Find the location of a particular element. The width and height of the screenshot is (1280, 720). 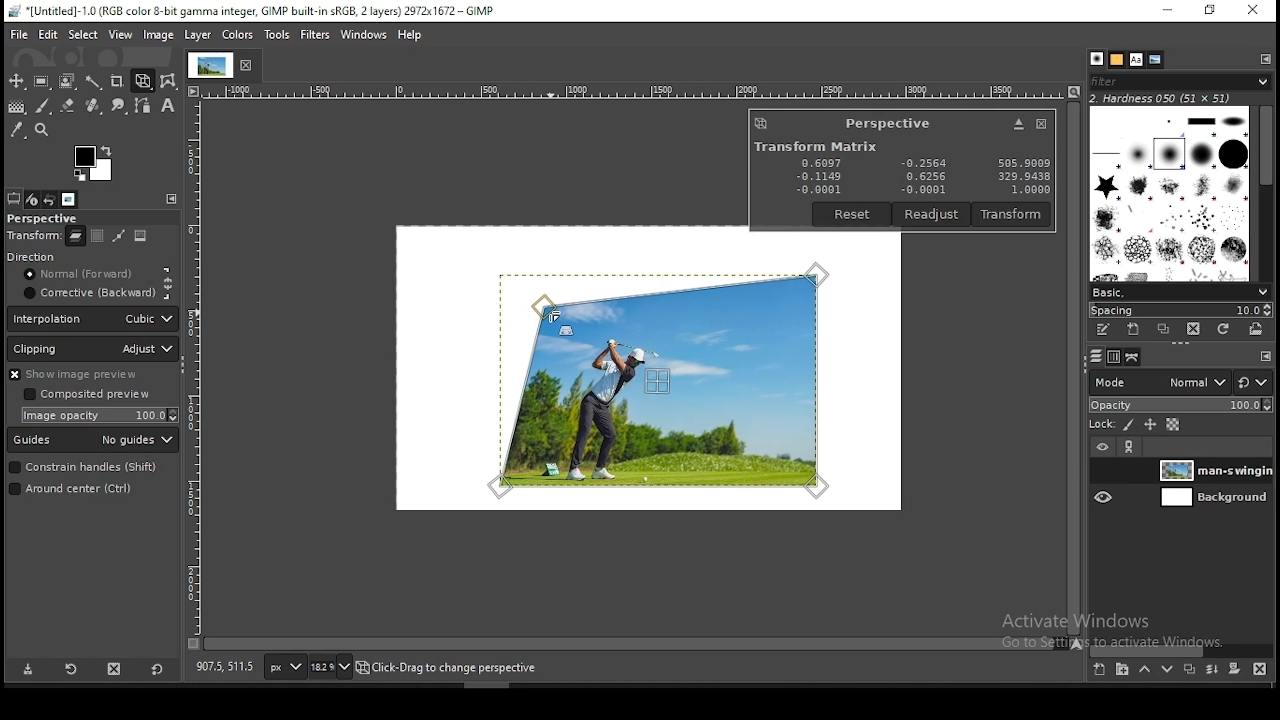

text tool is located at coordinates (168, 107).